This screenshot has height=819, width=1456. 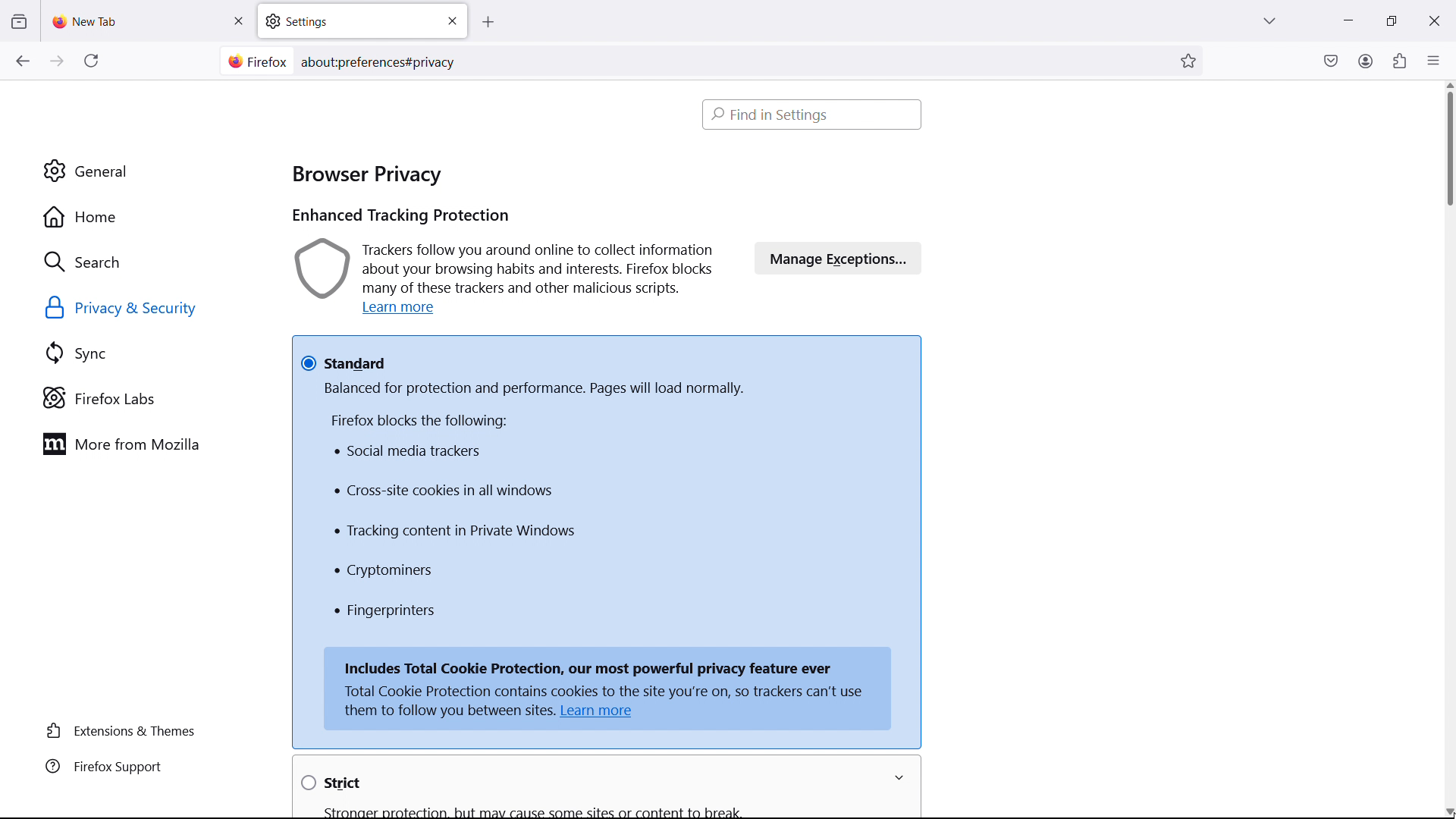 I want to click on go back one page, right click or pull down to show history, so click(x=22, y=61).